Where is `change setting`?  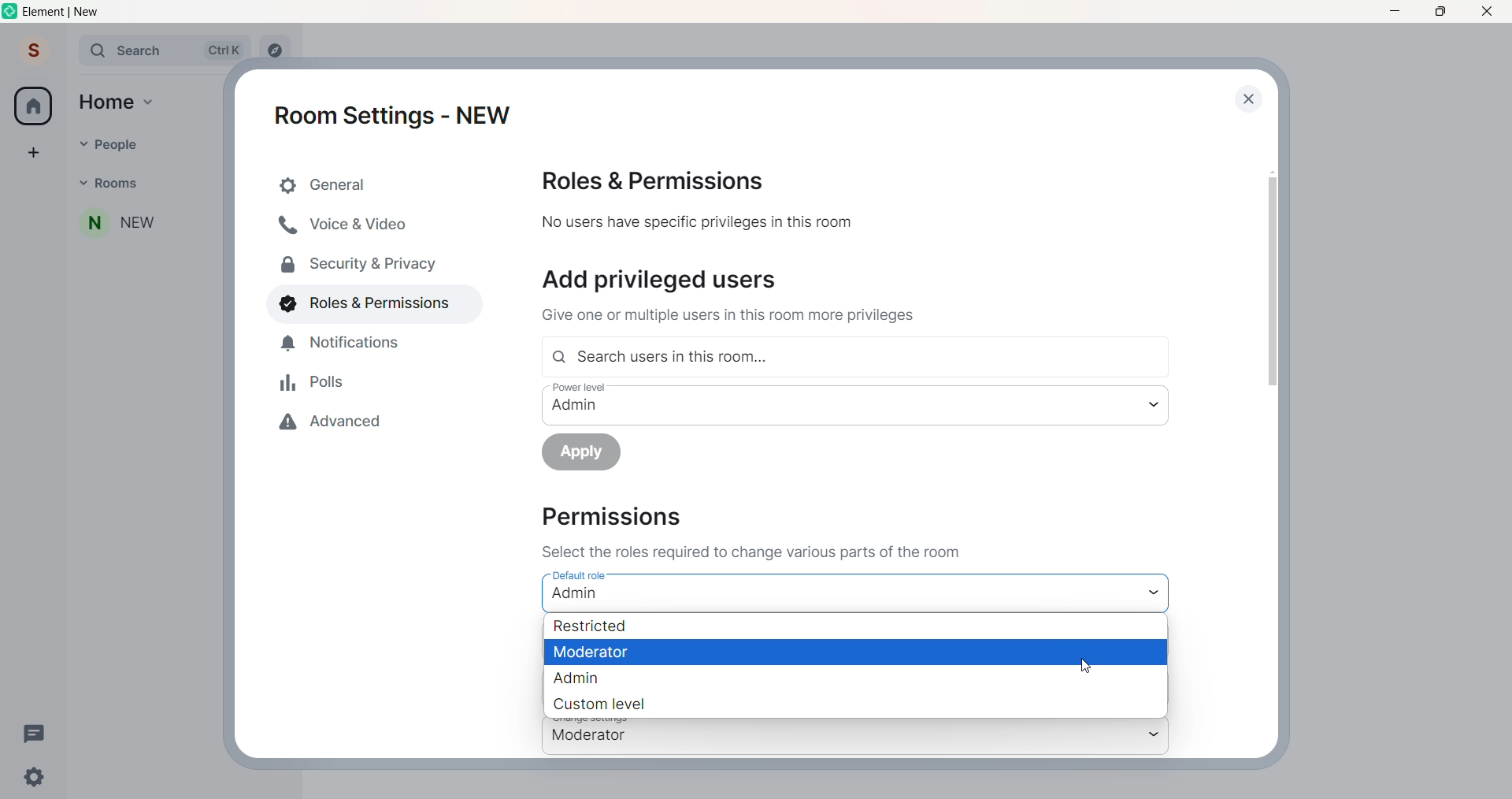 change setting is located at coordinates (834, 738).